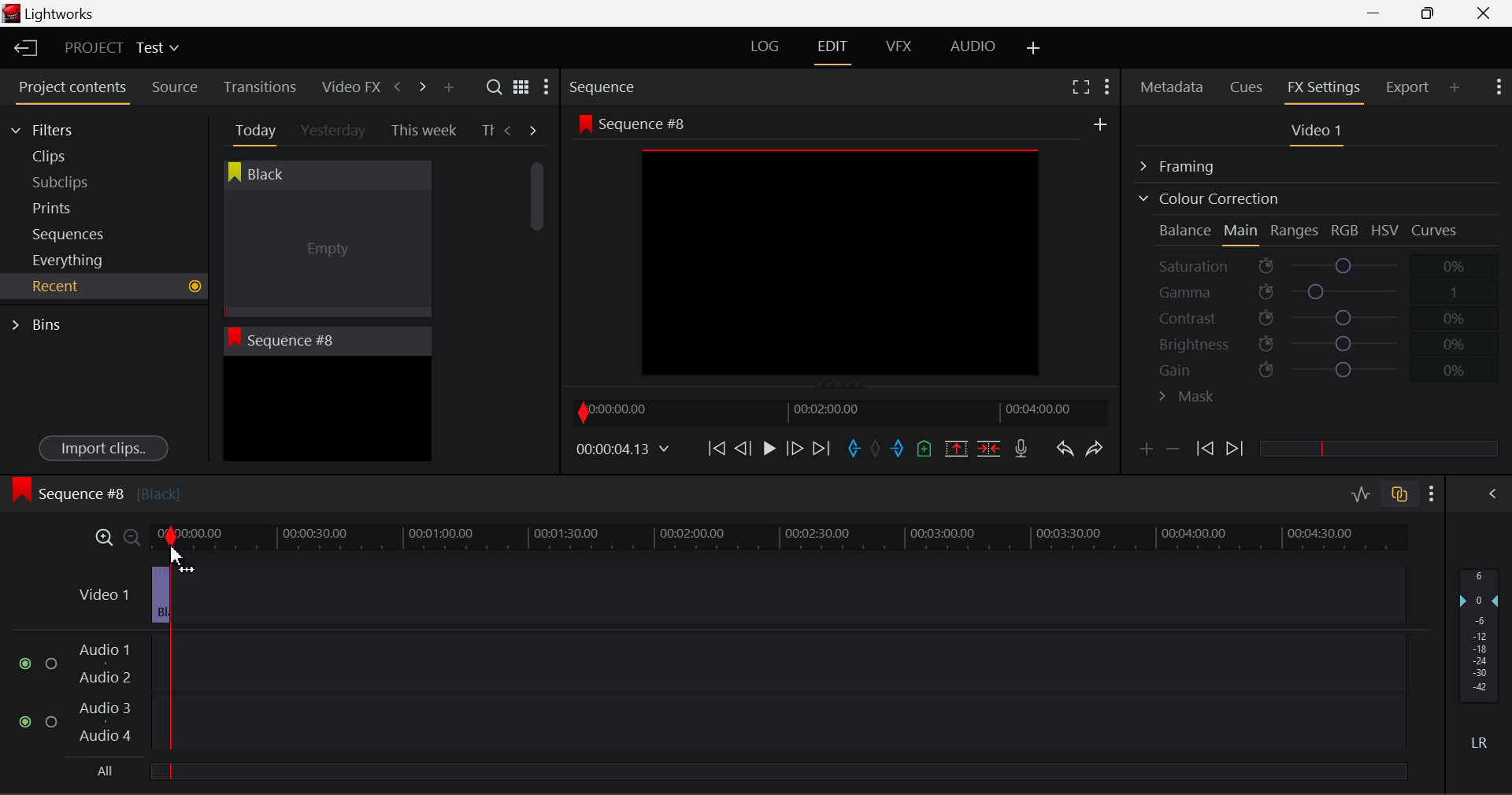  I want to click on Video FX, so click(346, 87).